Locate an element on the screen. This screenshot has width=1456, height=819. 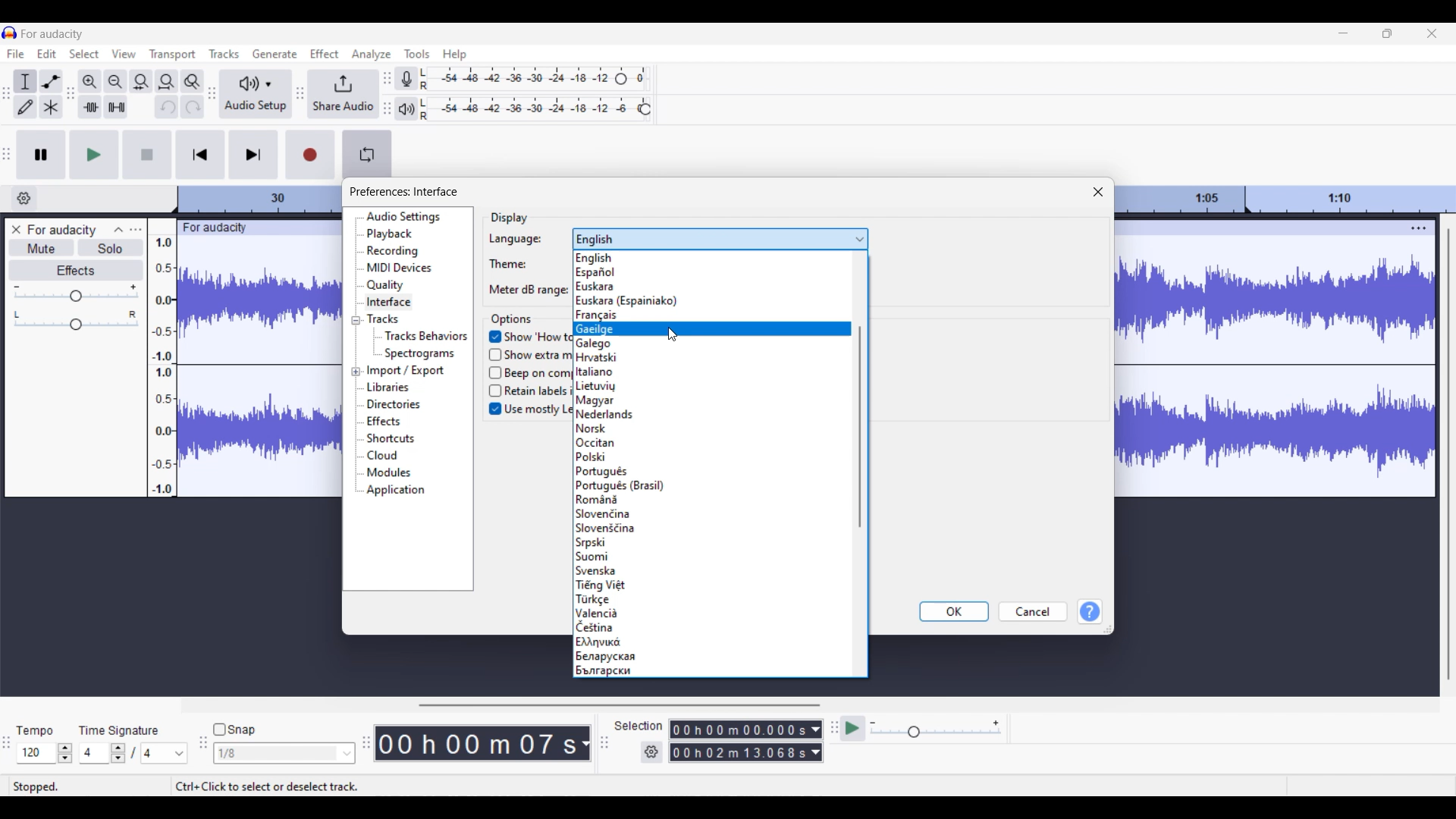
Play at speed/Play at speed once is located at coordinates (853, 729).